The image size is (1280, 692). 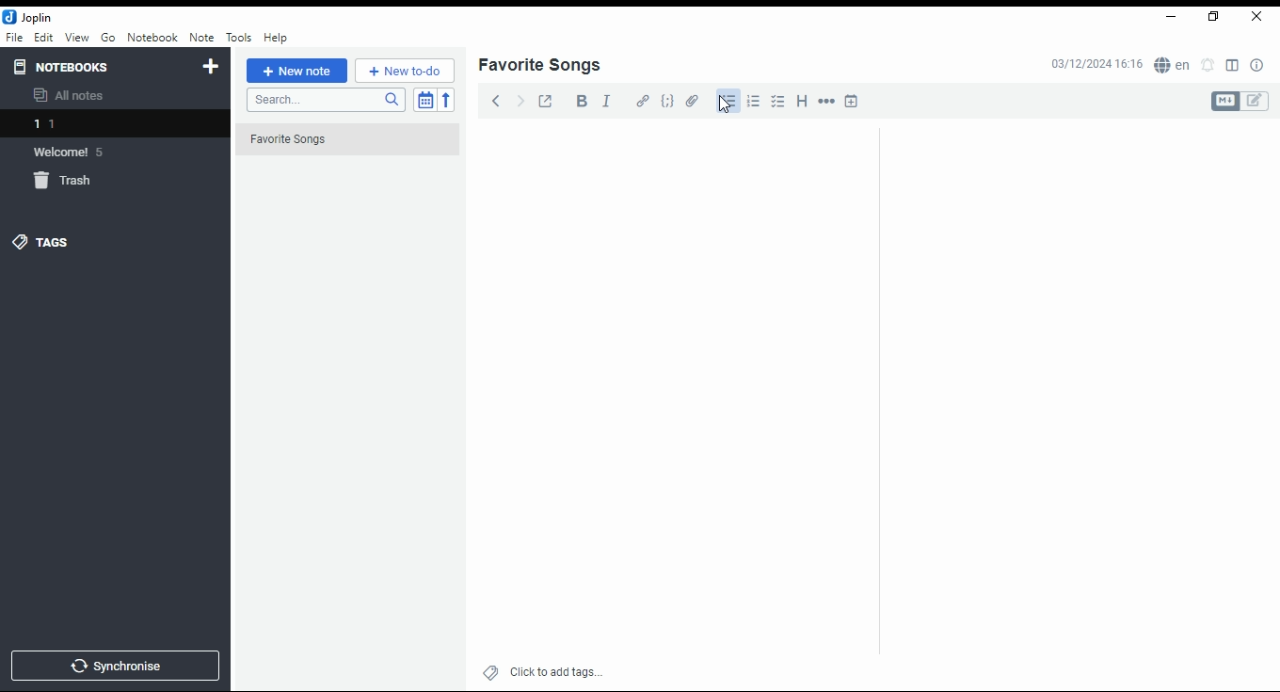 What do you see at coordinates (556, 669) in the screenshot?
I see `click to add tags` at bounding box center [556, 669].